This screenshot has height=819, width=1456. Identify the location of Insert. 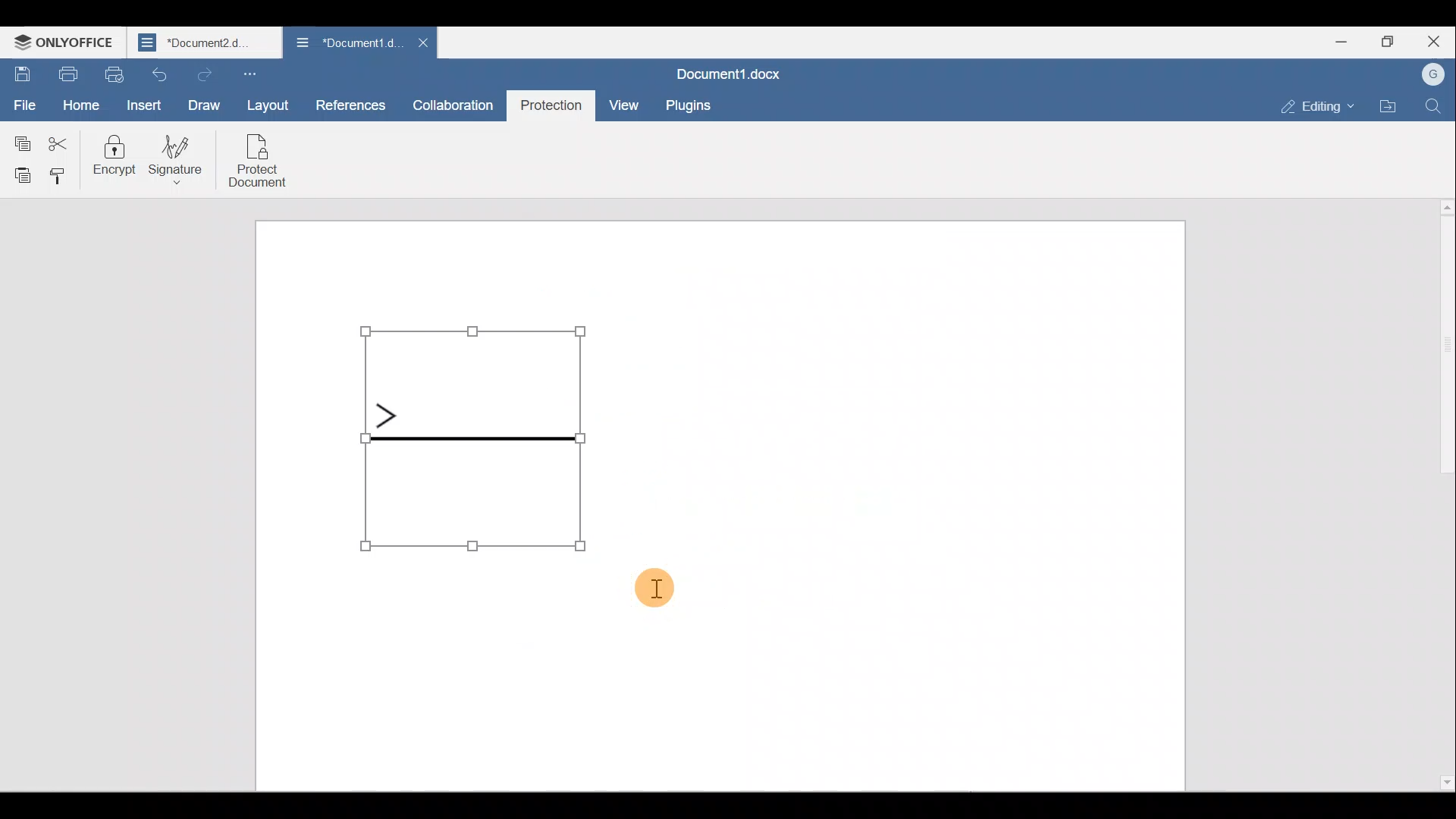
(146, 105).